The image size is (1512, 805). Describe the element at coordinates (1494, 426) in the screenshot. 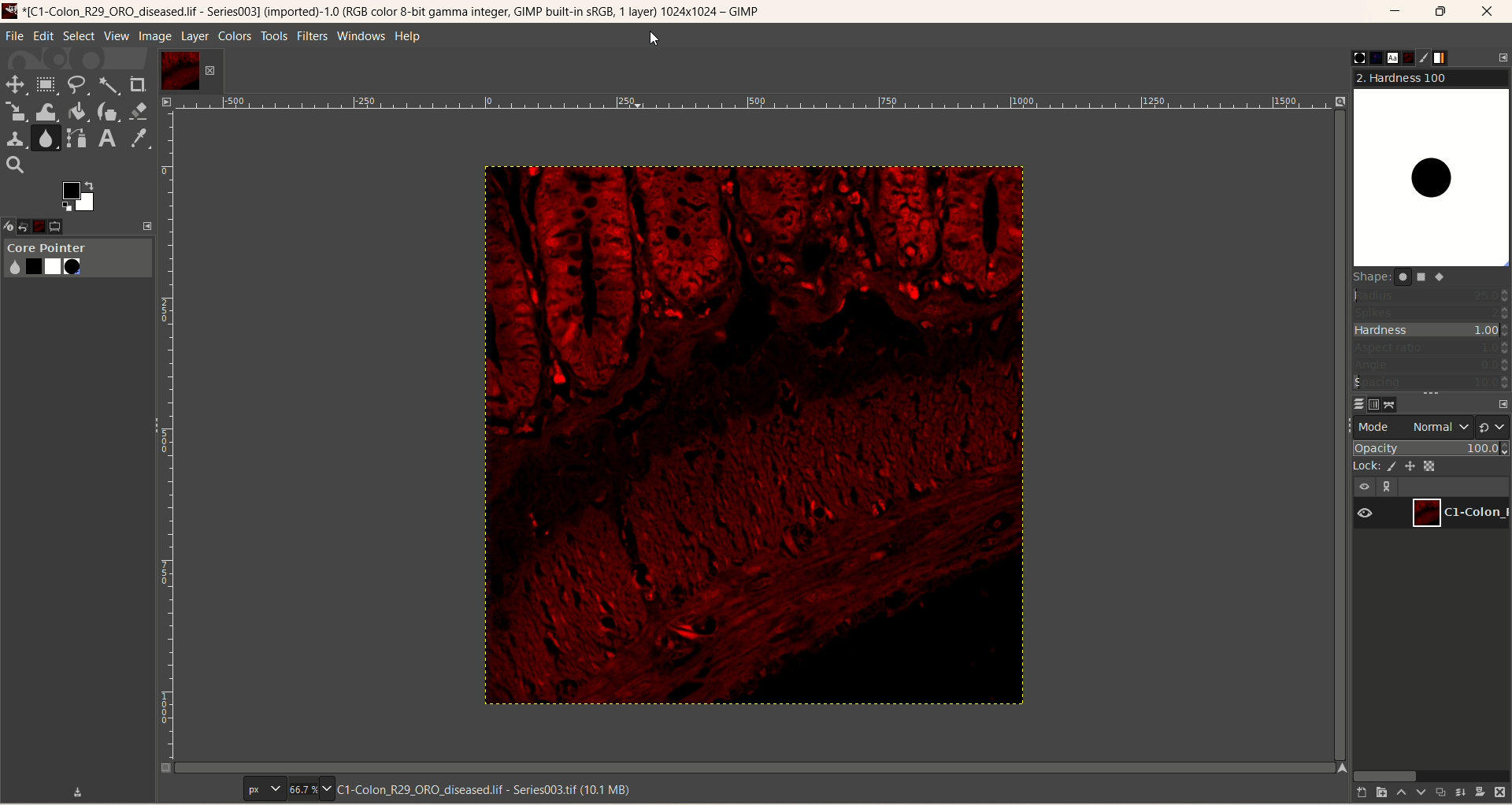

I see `switch to another group of mode` at that location.